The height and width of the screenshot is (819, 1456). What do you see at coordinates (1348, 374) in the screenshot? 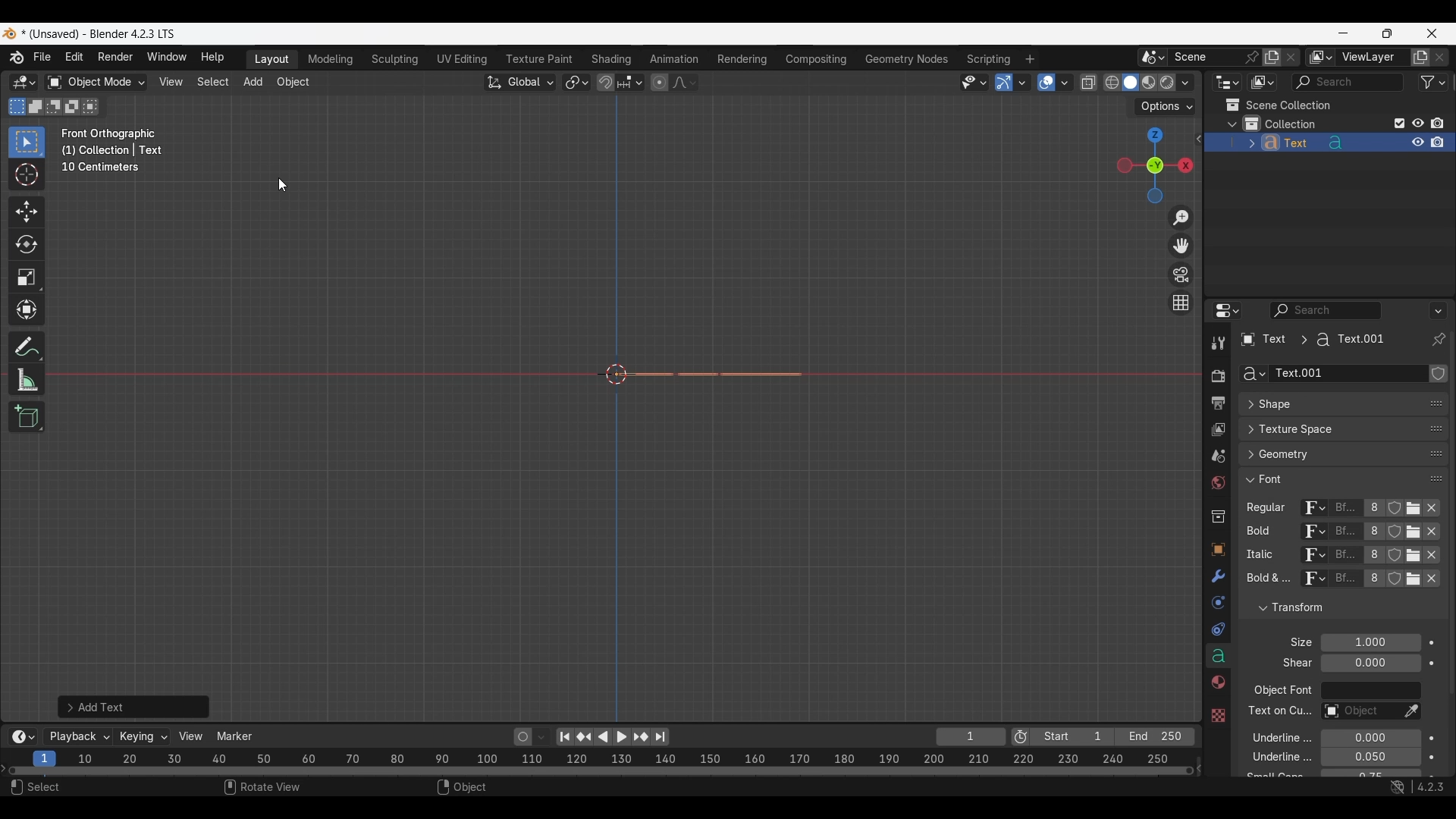
I see `Name` at bounding box center [1348, 374].